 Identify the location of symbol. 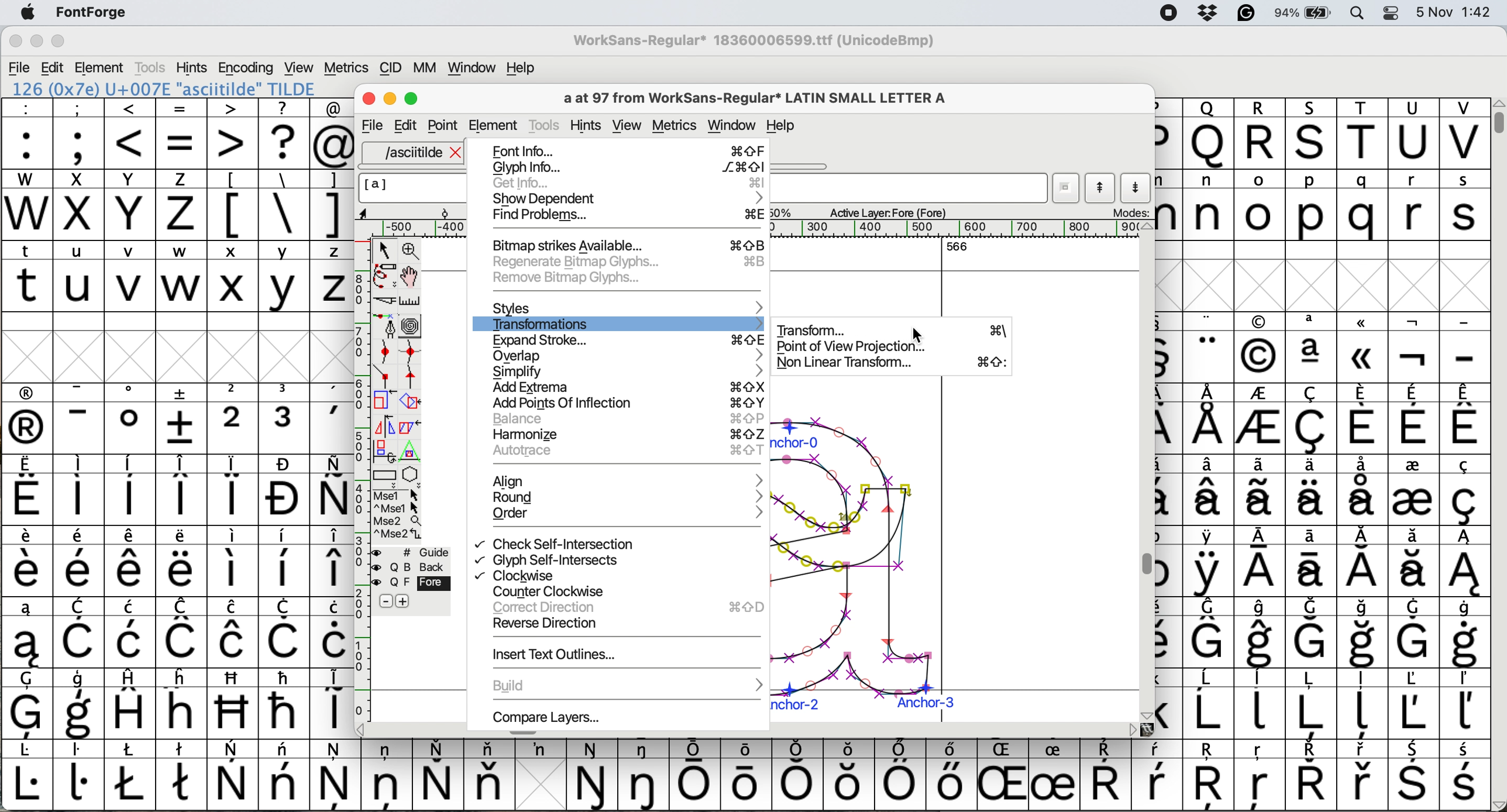
(28, 419).